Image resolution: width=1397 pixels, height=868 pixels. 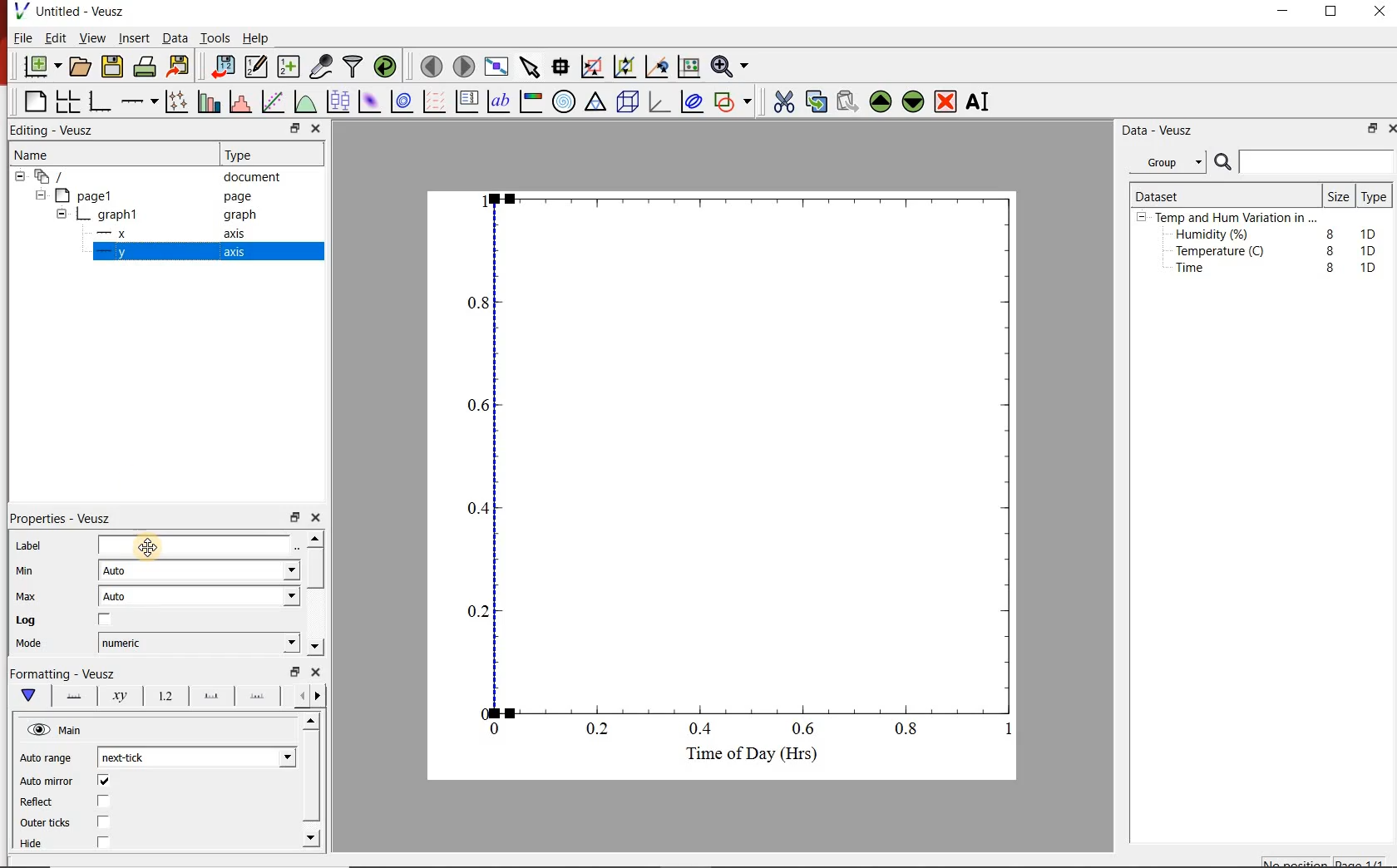 What do you see at coordinates (148, 544) in the screenshot?
I see `Label` at bounding box center [148, 544].